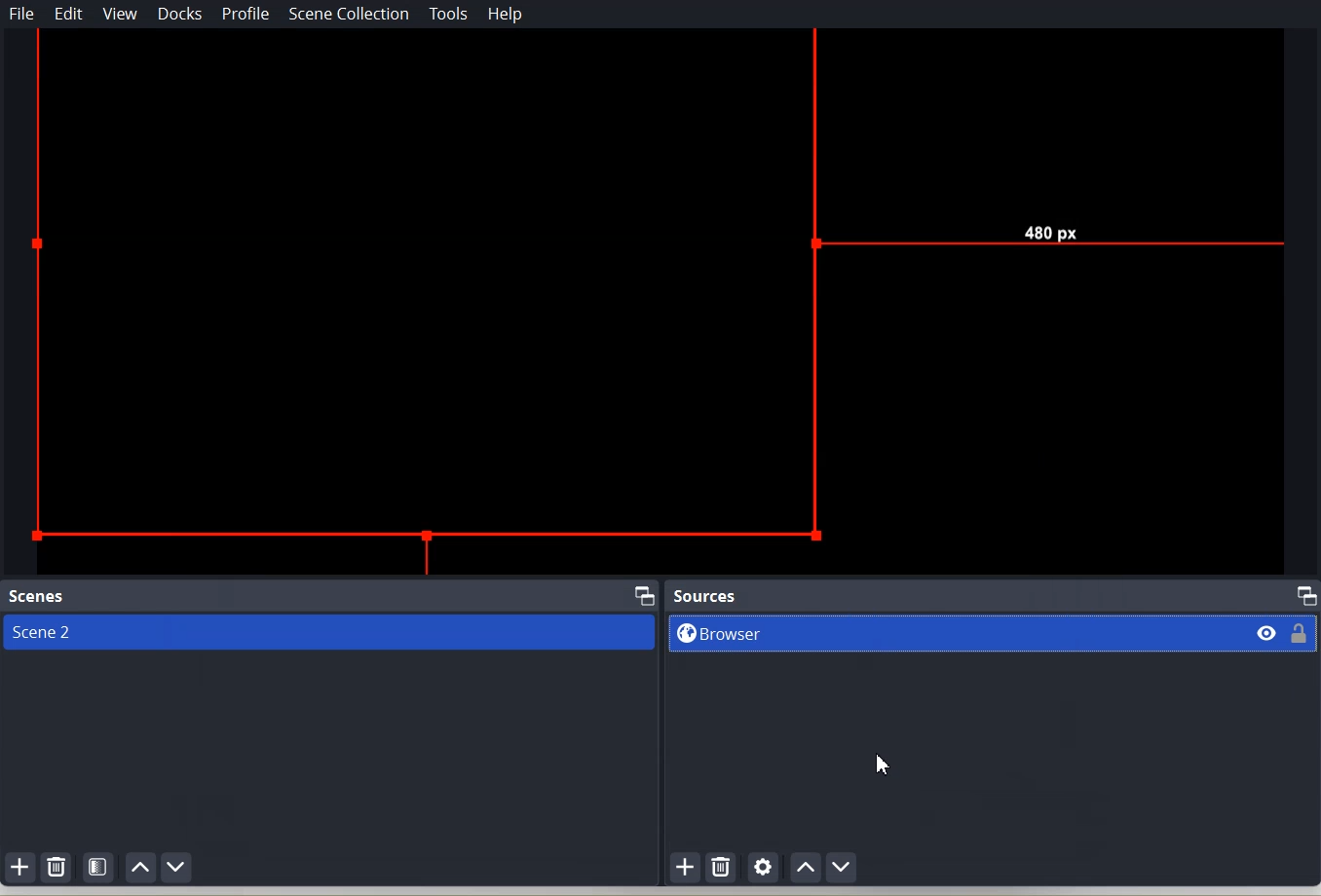  What do you see at coordinates (804, 867) in the screenshot?
I see `Move Source up` at bounding box center [804, 867].